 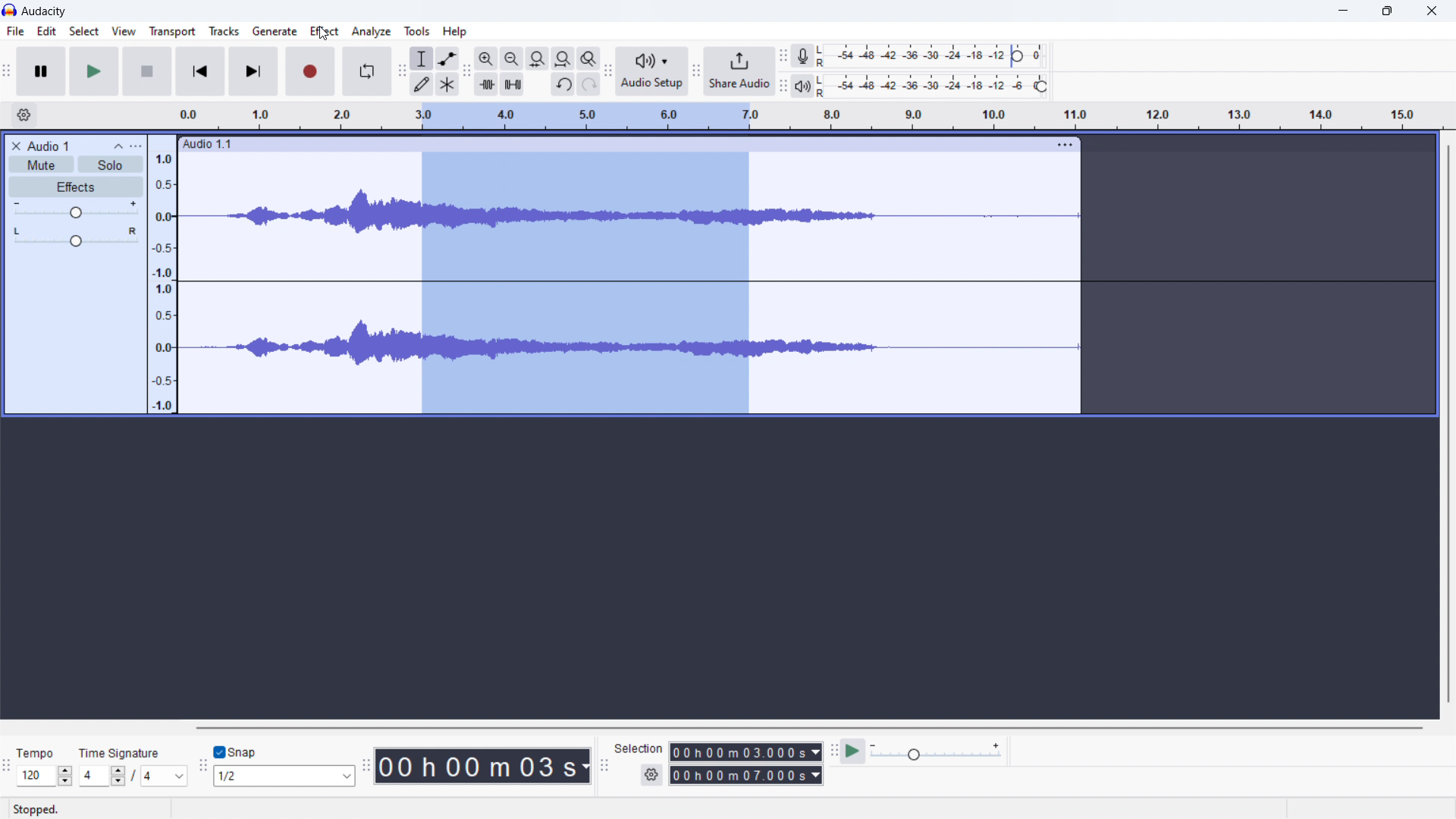 What do you see at coordinates (47, 30) in the screenshot?
I see `edit` at bounding box center [47, 30].